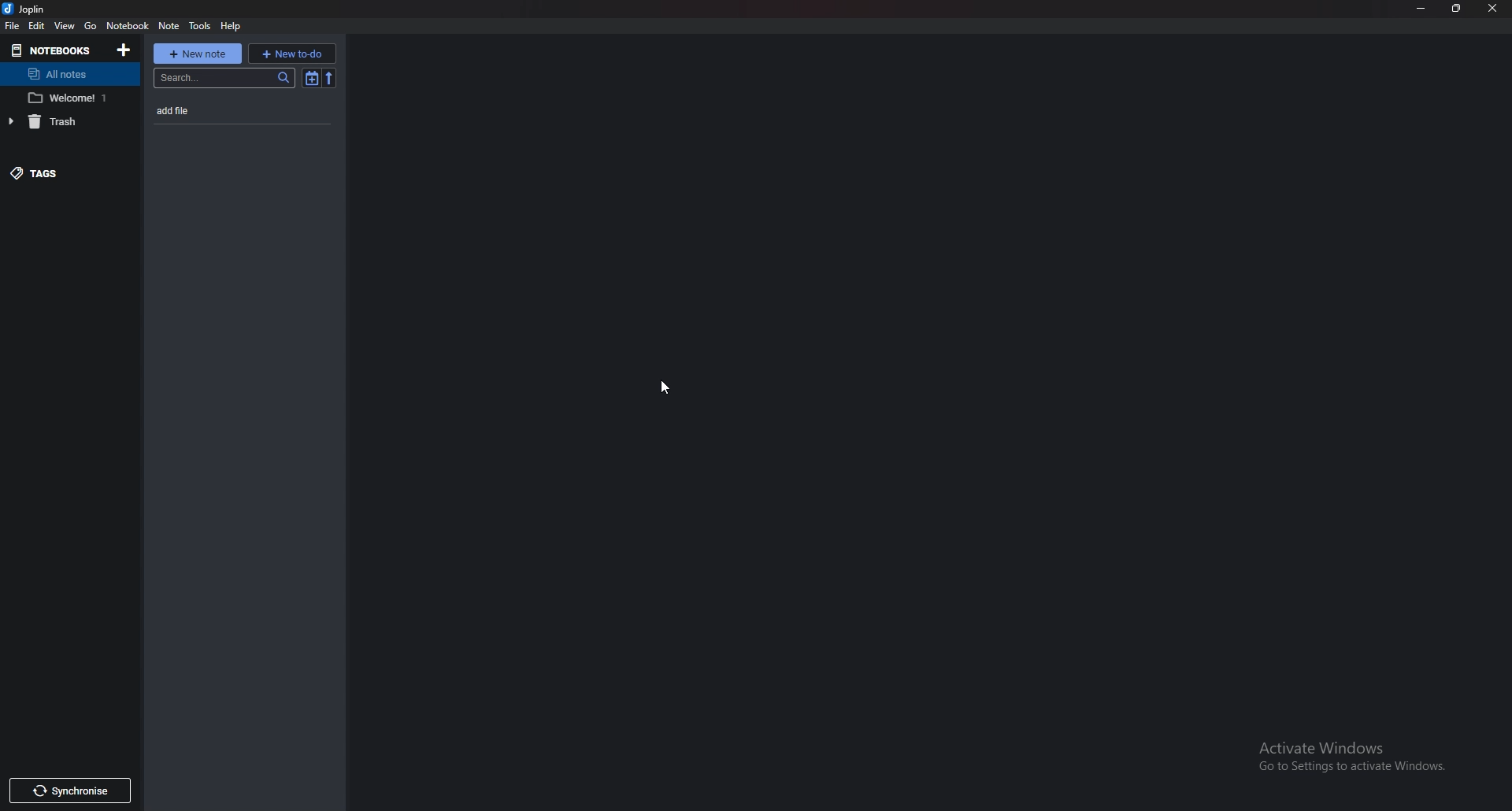  I want to click on New to do, so click(293, 53).